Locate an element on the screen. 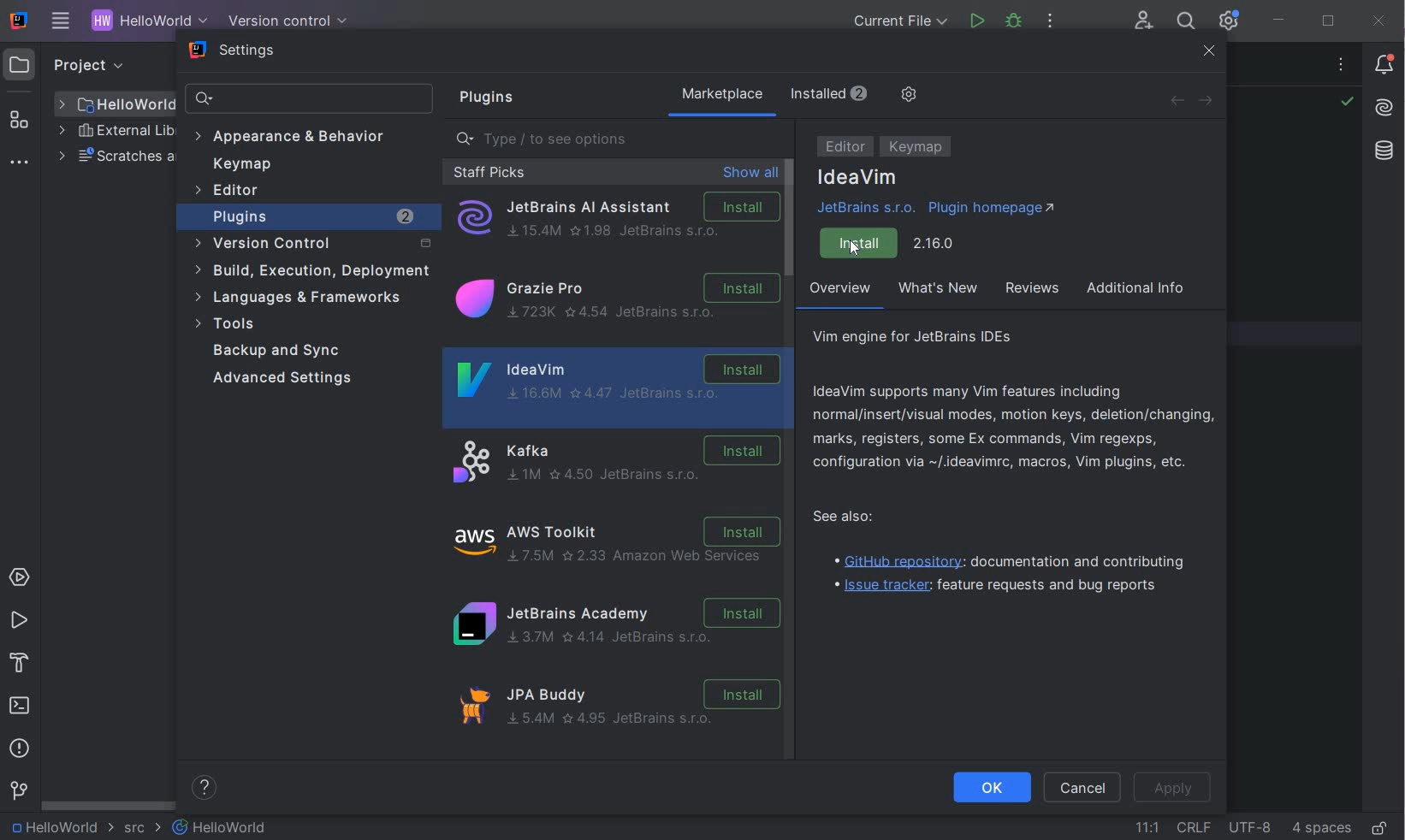 The width and height of the screenshot is (1405, 840). staff picks is located at coordinates (489, 172).